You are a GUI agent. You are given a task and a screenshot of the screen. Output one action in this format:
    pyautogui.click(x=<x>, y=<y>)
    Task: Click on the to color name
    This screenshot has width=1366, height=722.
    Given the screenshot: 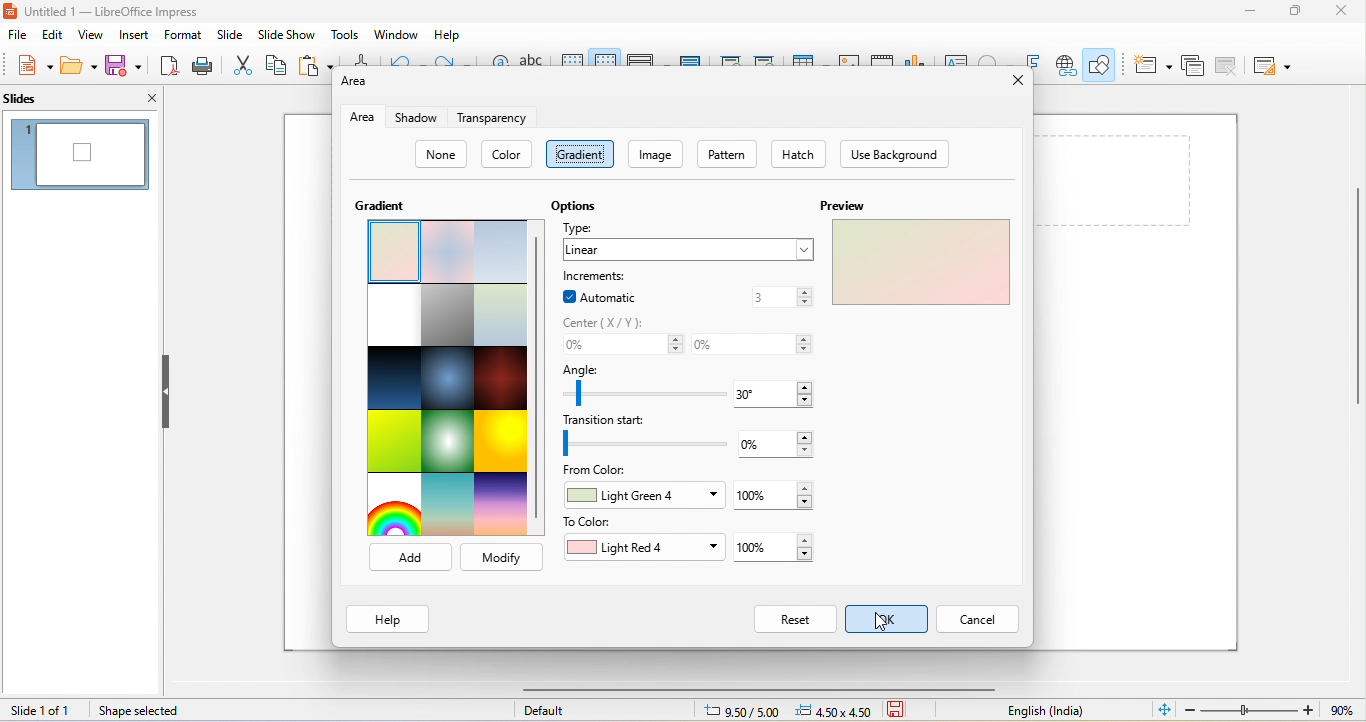 What is the action you would take?
    pyautogui.click(x=640, y=547)
    